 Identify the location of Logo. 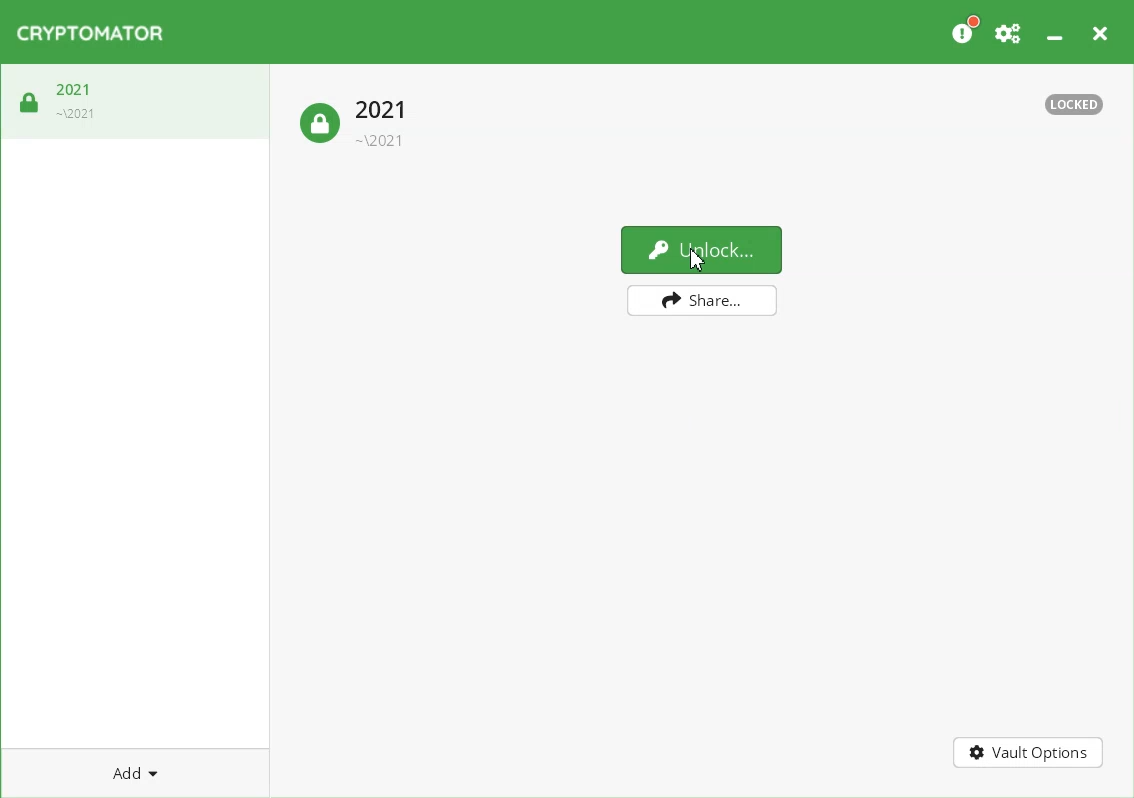
(90, 33).